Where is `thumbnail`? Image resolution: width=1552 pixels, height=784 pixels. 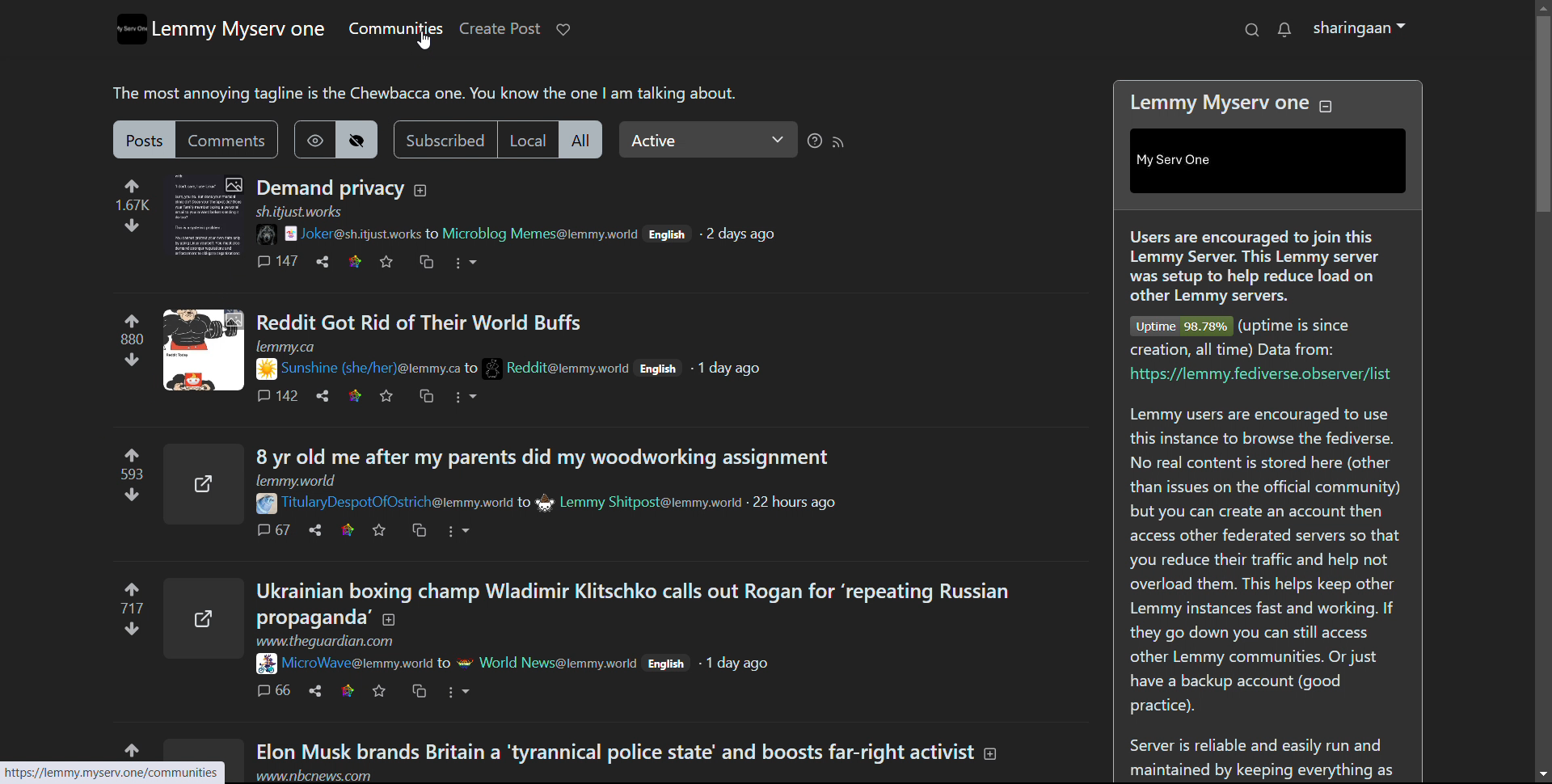
thumbnail is located at coordinates (204, 481).